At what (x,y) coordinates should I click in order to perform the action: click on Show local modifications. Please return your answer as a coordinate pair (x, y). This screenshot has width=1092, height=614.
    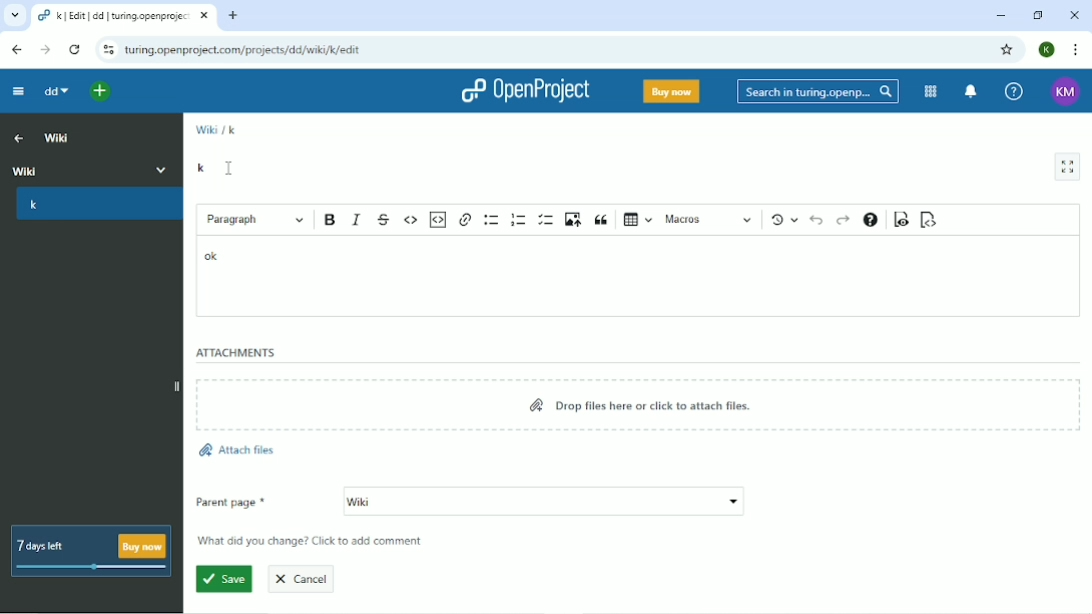
    Looking at the image, I should click on (784, 220).